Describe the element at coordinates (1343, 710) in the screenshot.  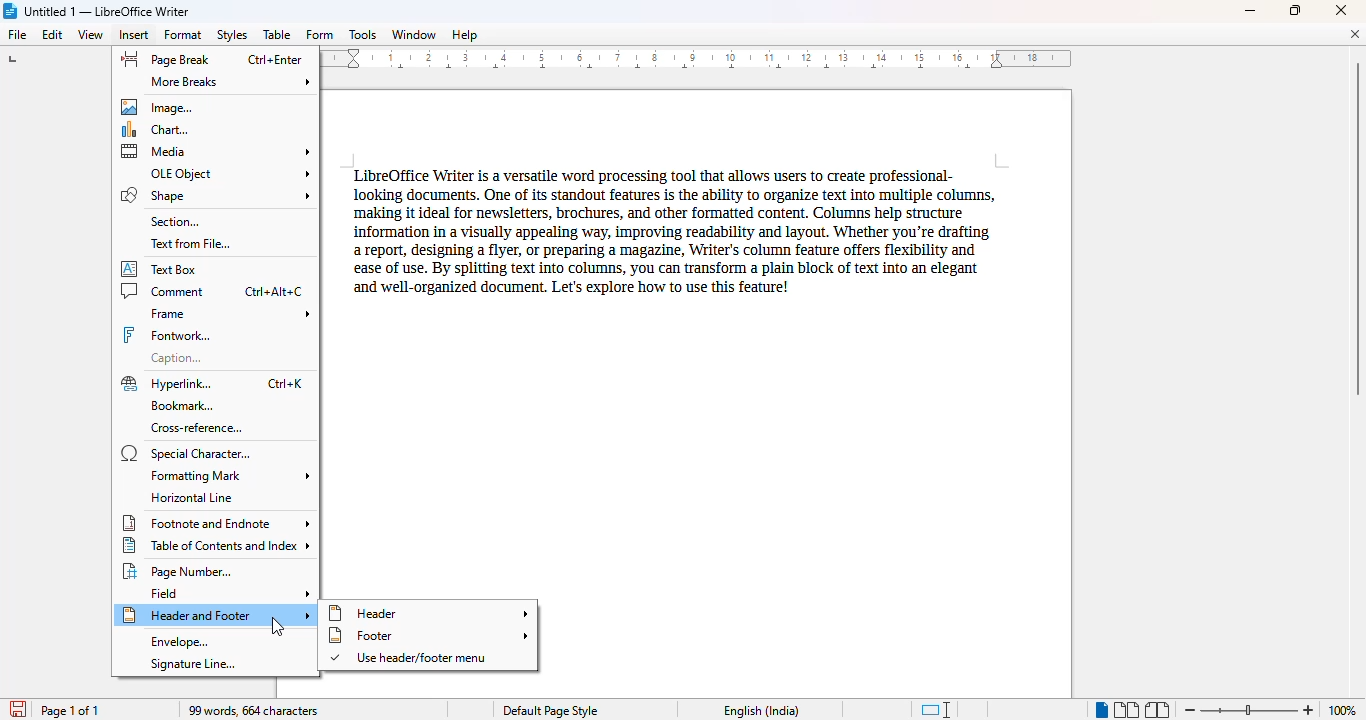
I see `100% (zoom level)` at that location.